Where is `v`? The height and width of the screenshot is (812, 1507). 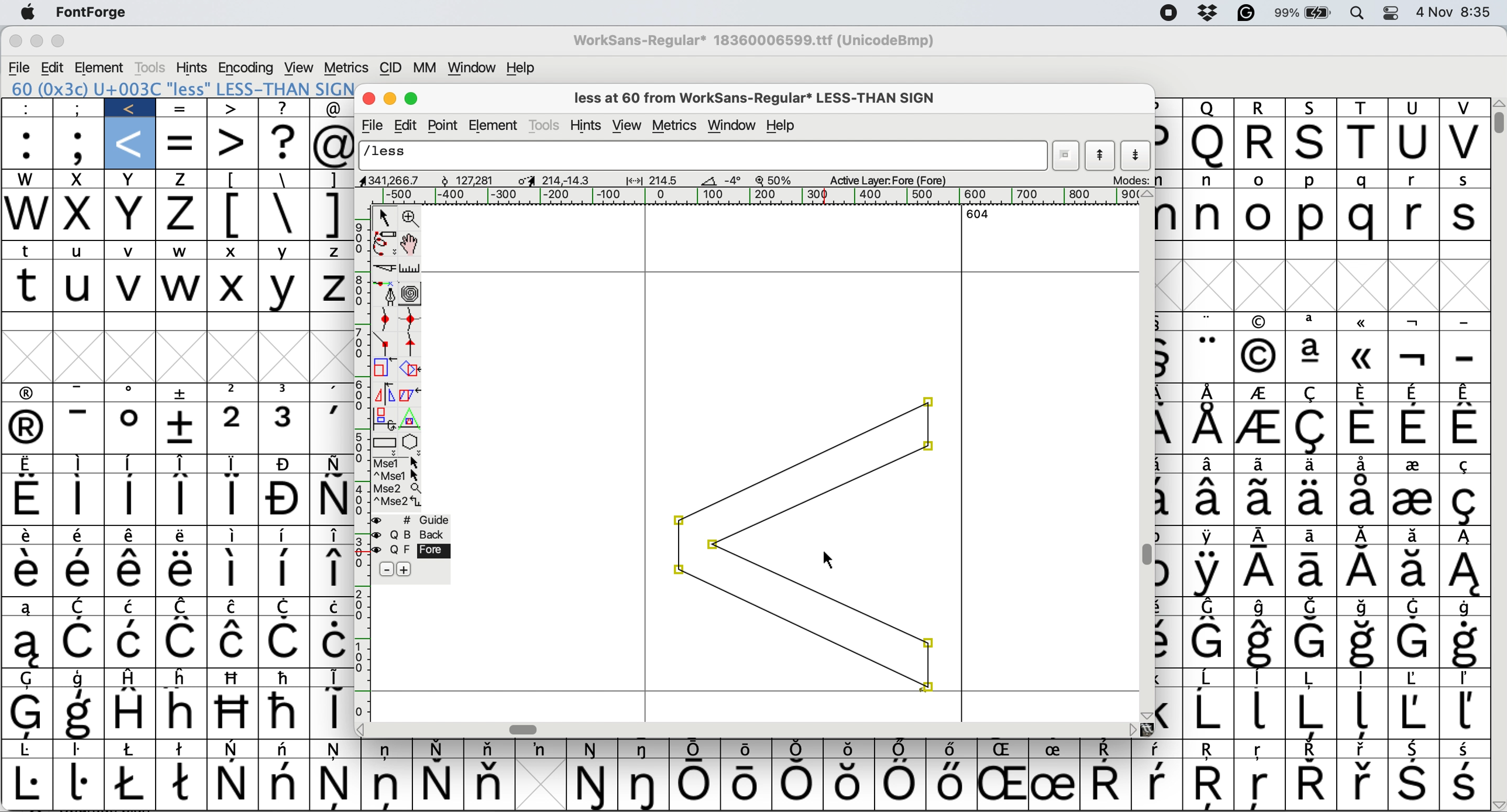 v is located at coordinates (1462, 143).